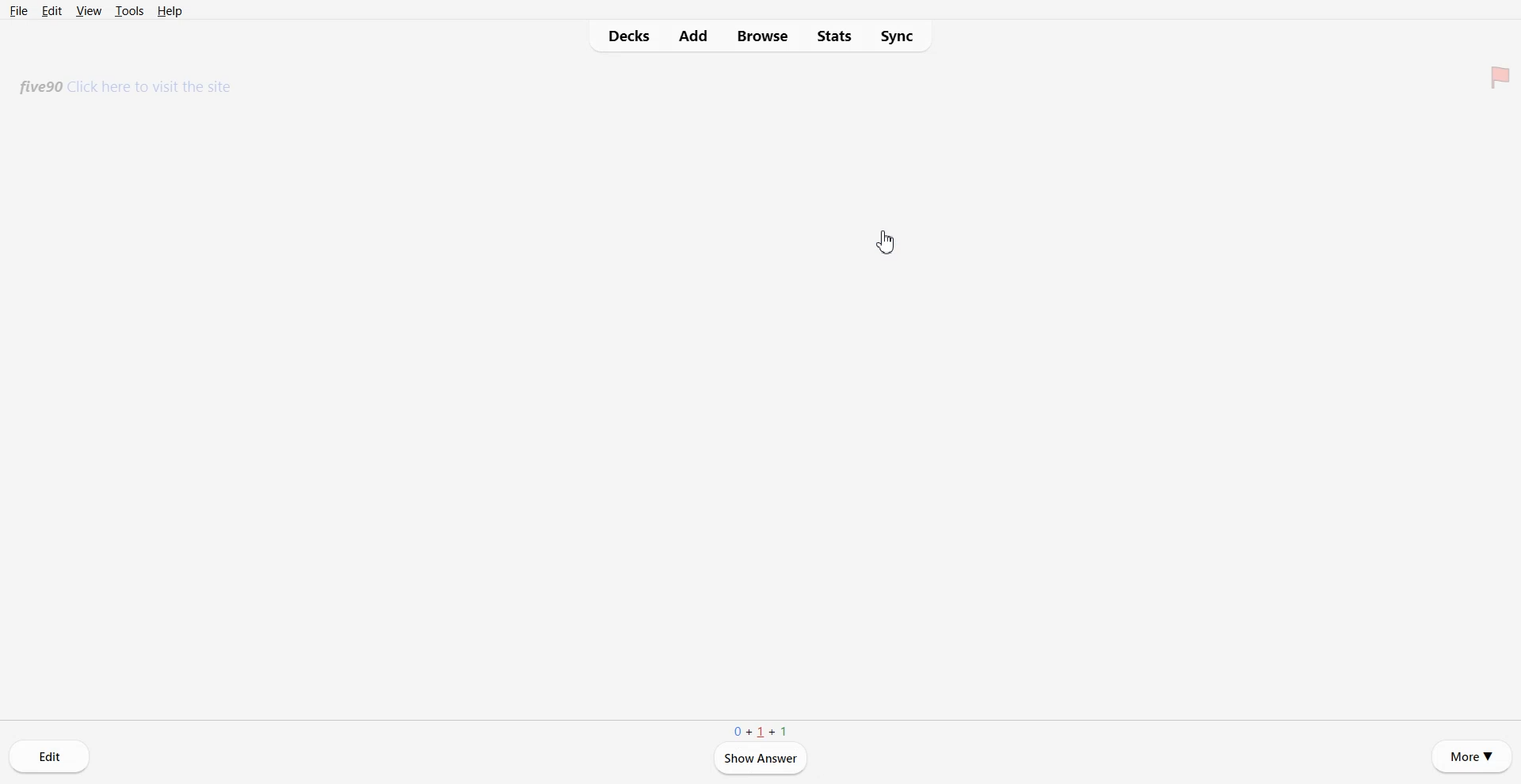  Describe the element at coordinates (1498, 75) in the screenshot. I see `Flag` at that location.